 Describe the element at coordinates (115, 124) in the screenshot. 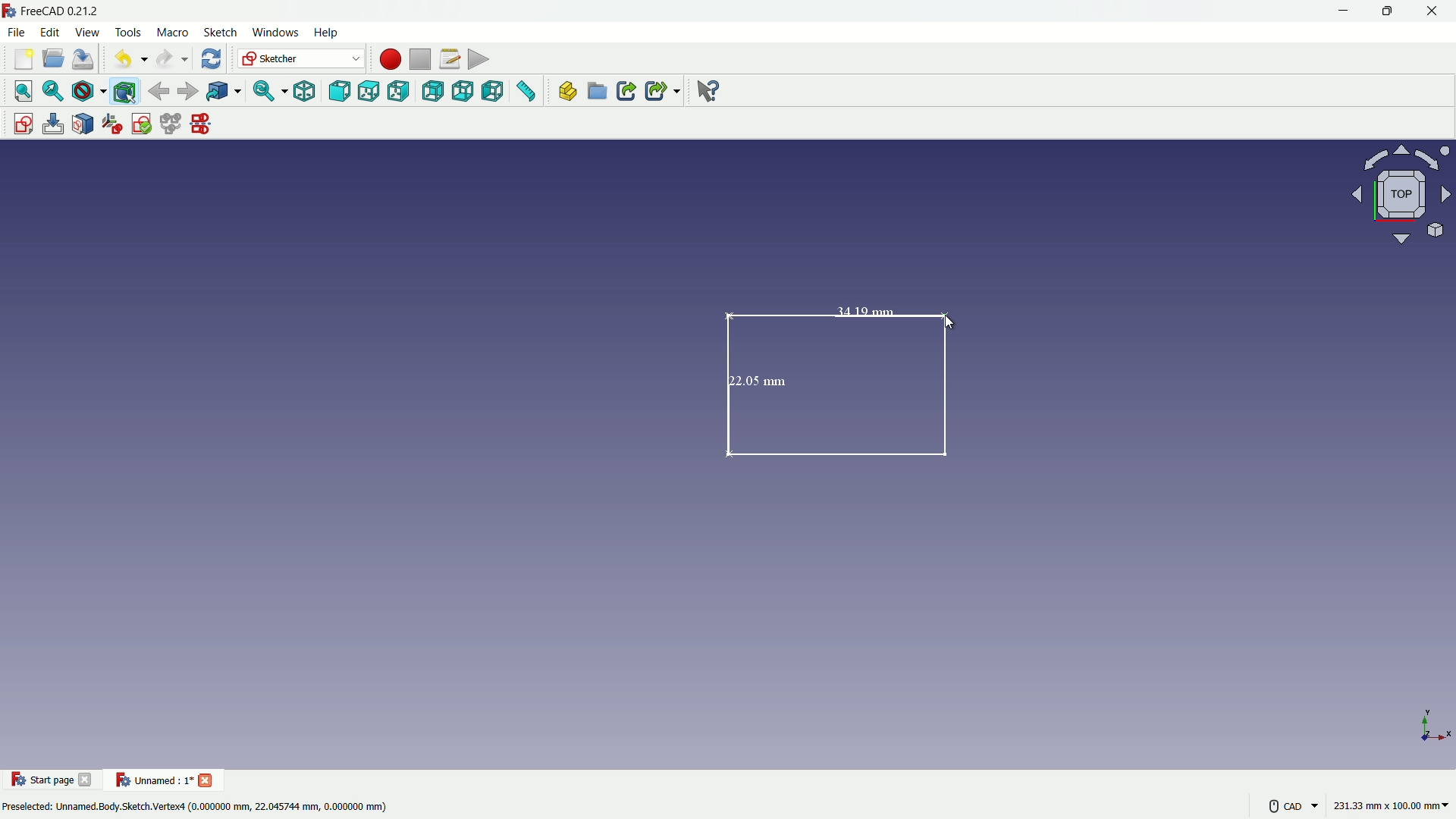

I see `reorient sketches` at that location.